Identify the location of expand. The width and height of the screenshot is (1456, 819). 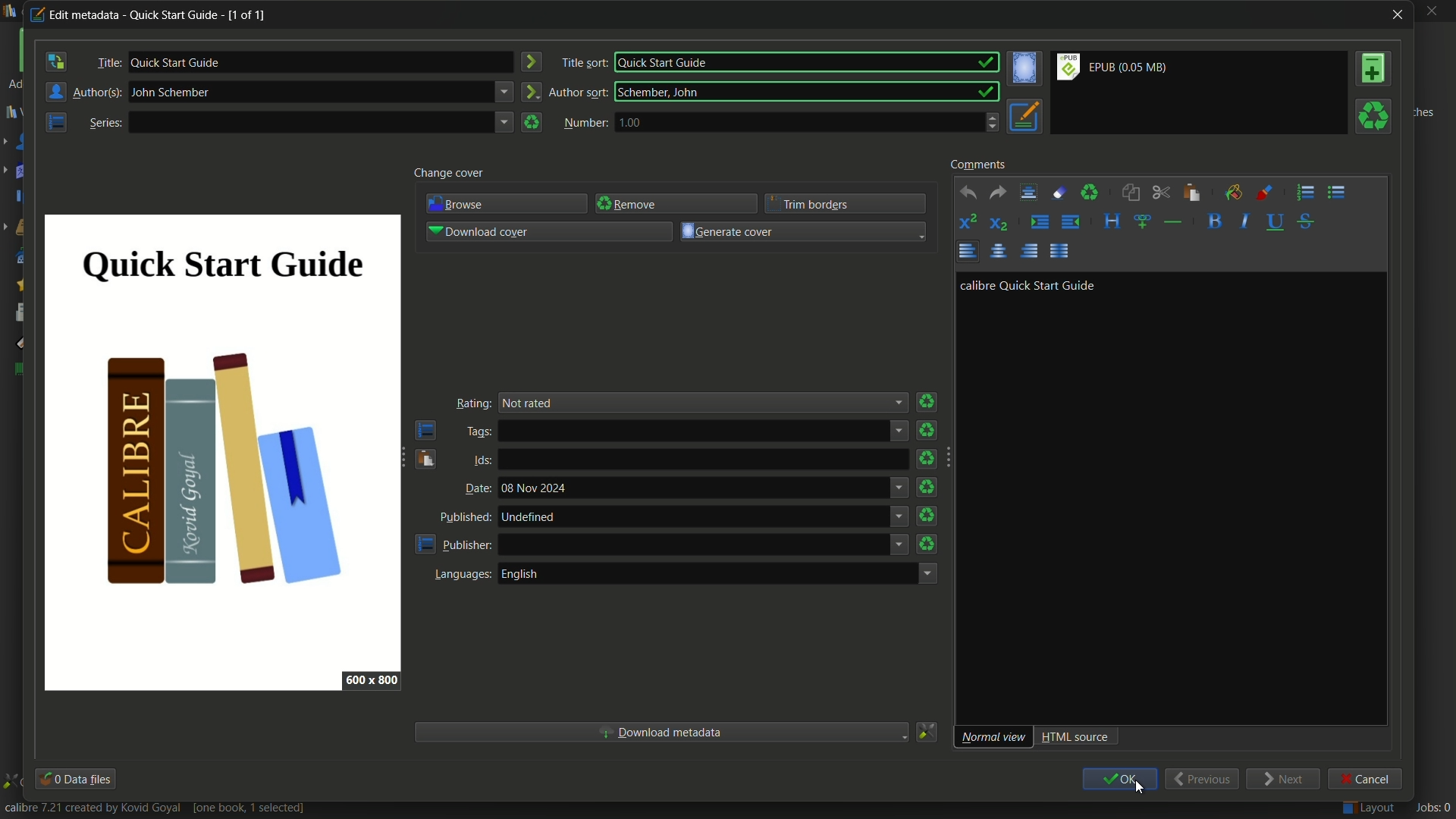
(504, 93).